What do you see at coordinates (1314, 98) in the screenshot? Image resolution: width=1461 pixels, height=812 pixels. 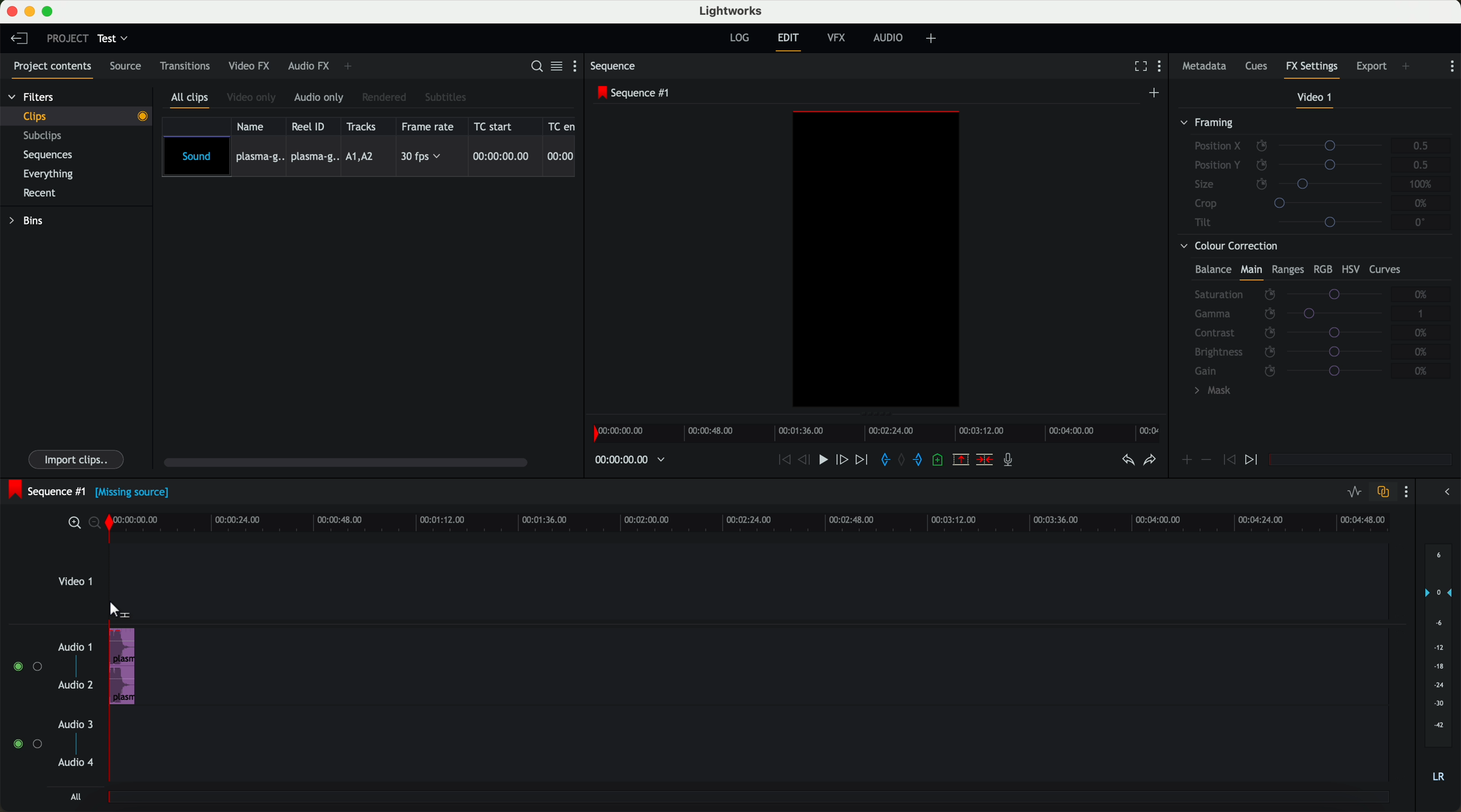 I see `video 1` at bounding box center [1314, 98].